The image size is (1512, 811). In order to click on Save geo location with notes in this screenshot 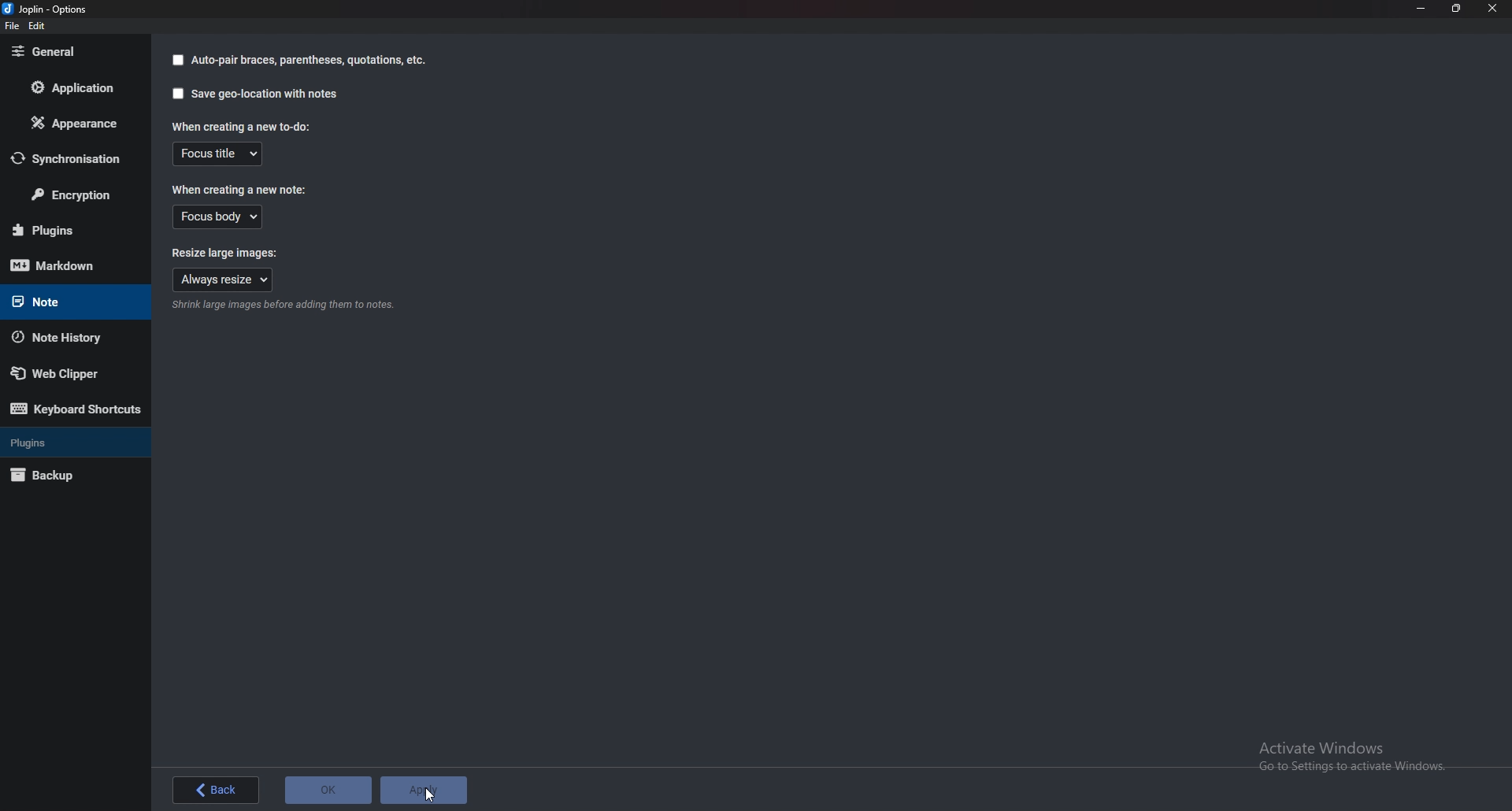, I will do `click(257, 93)`.